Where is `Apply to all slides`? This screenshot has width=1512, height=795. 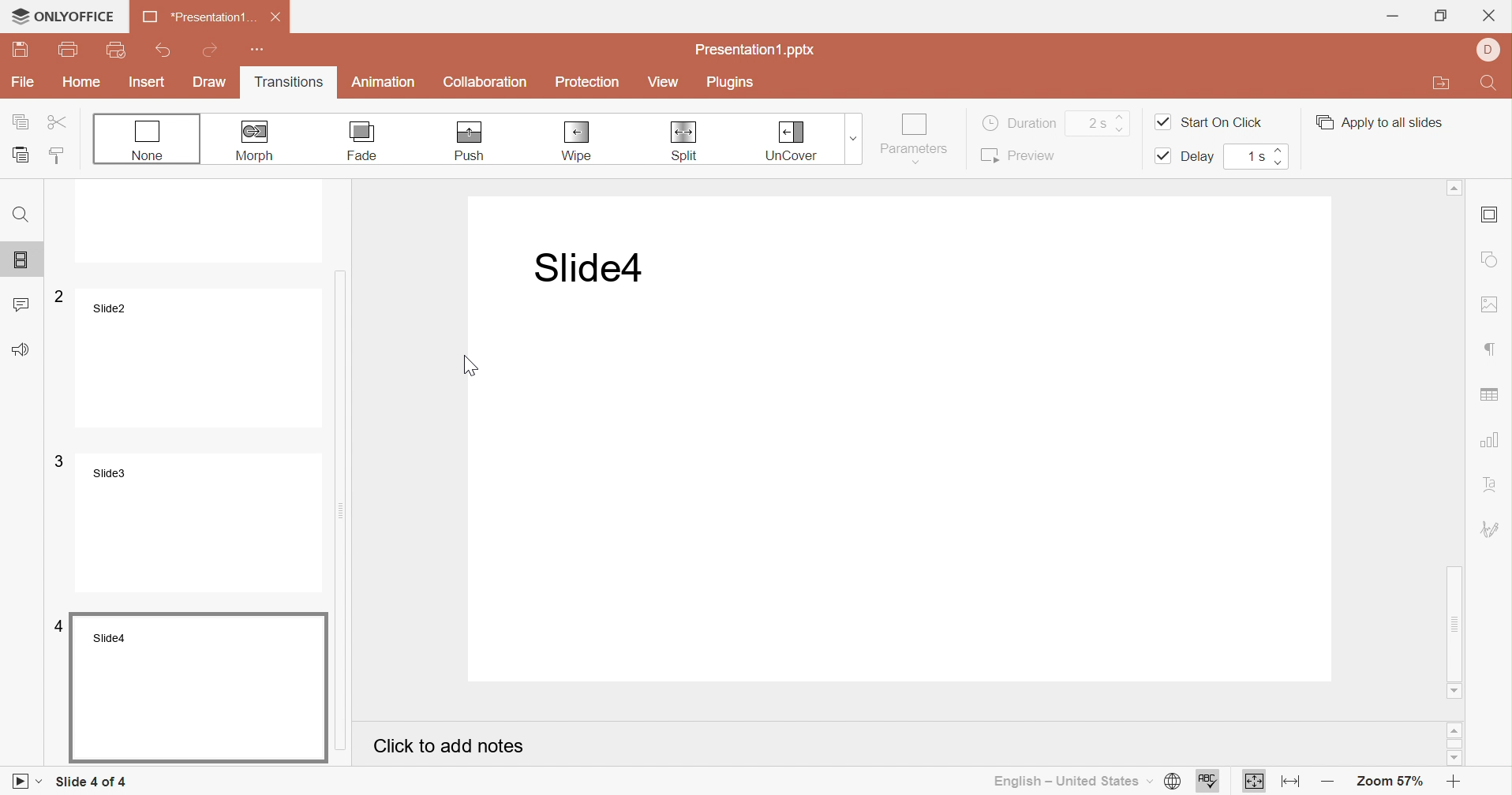
Apply to all slides is located at coordinates (1376, 121).